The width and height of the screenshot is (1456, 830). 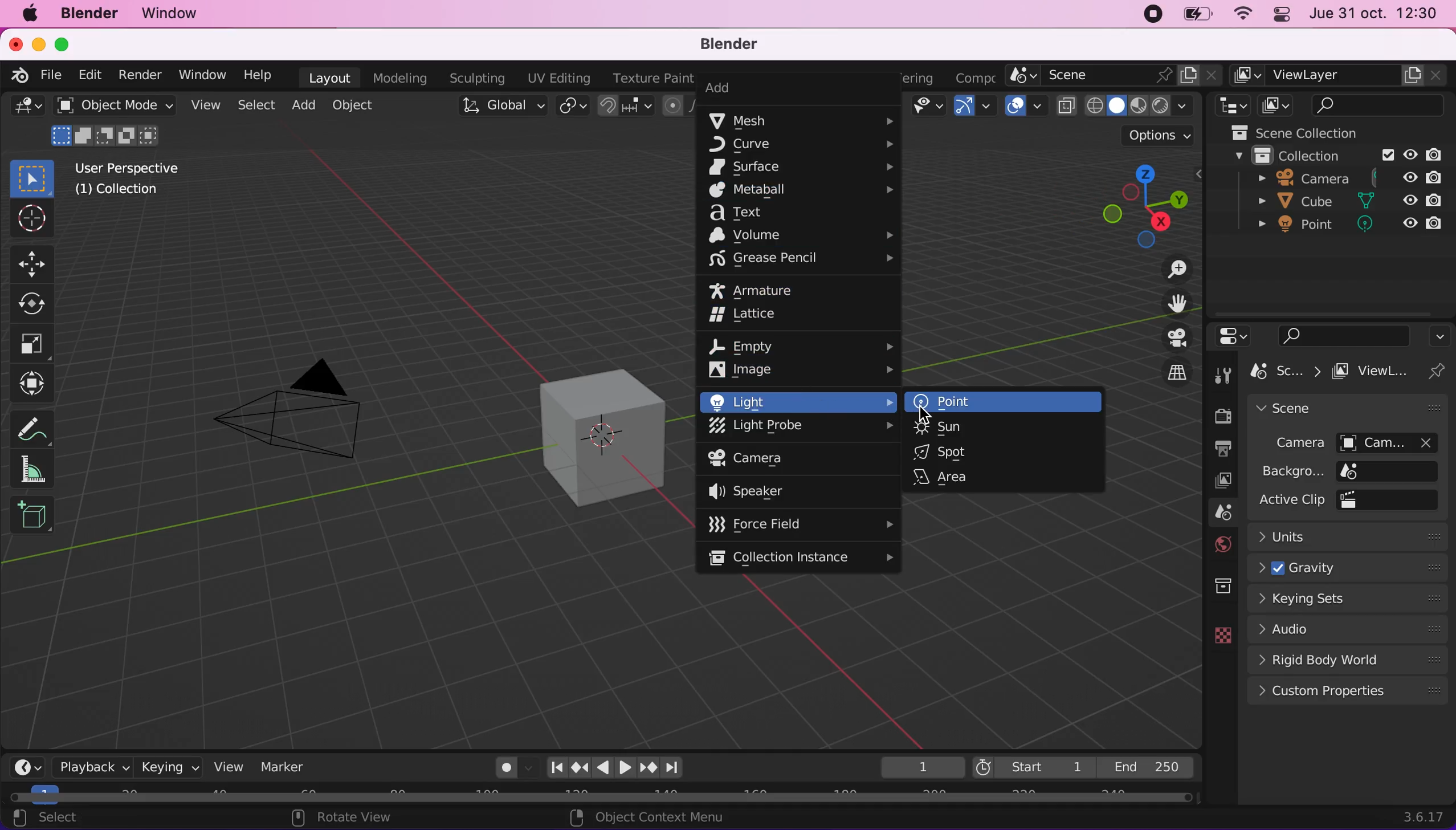 I want to click on mac logo, so click(x=32, y=15).